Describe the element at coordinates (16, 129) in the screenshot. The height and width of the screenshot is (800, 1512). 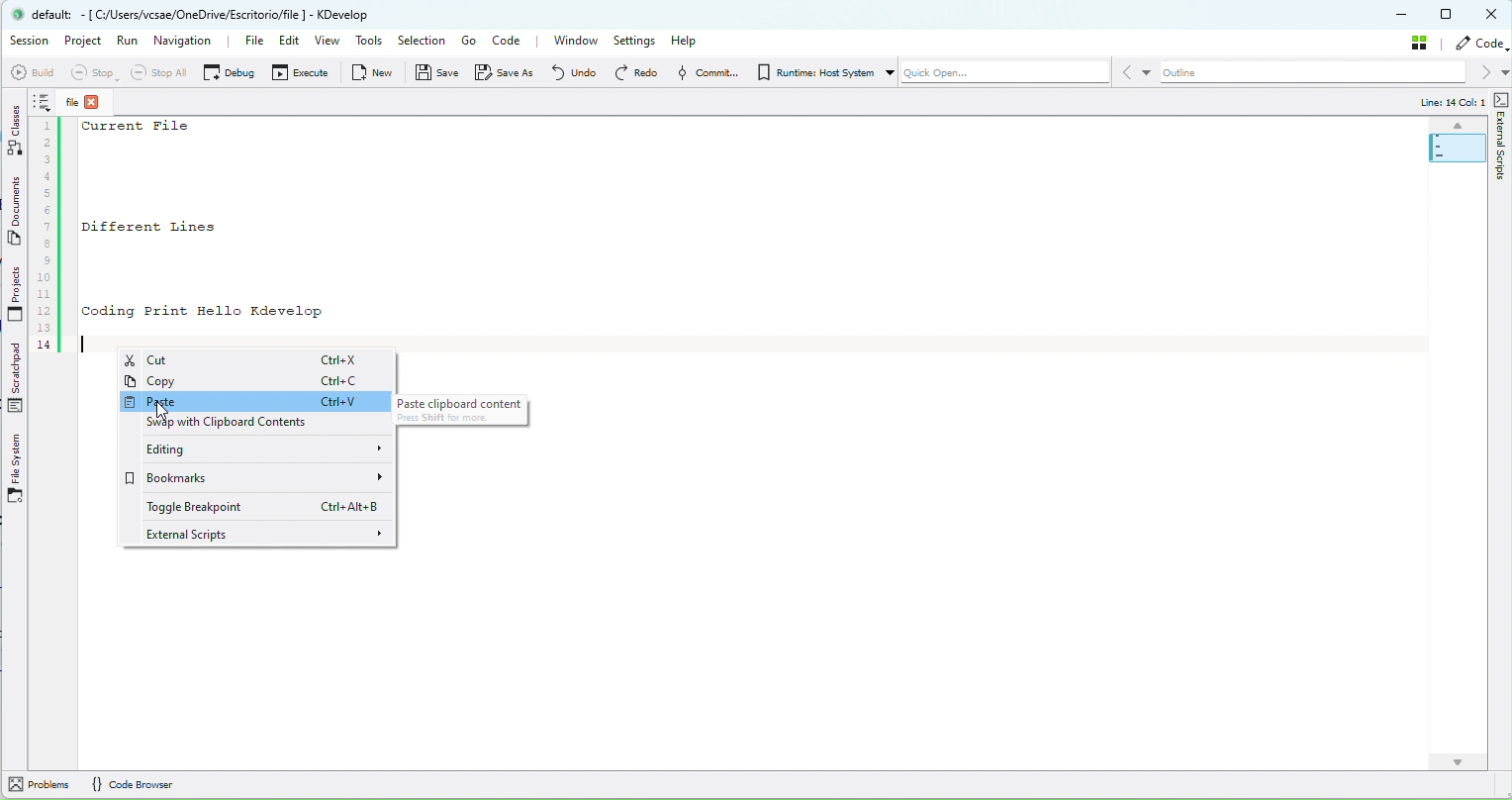
I see `Classes` at that location.